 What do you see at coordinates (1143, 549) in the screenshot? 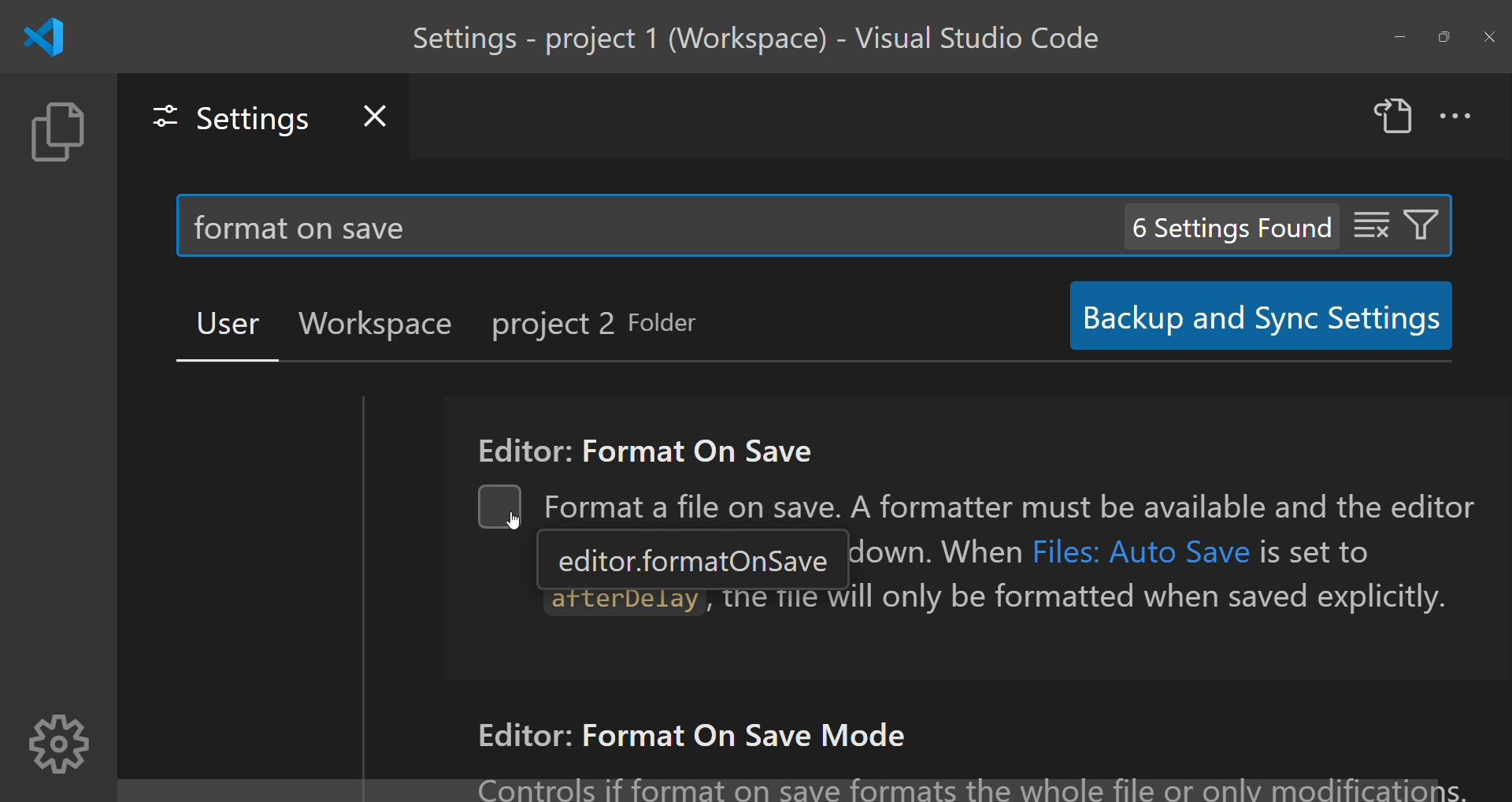
I see `Files: Auto Save` at bounding box center [1143, 549].